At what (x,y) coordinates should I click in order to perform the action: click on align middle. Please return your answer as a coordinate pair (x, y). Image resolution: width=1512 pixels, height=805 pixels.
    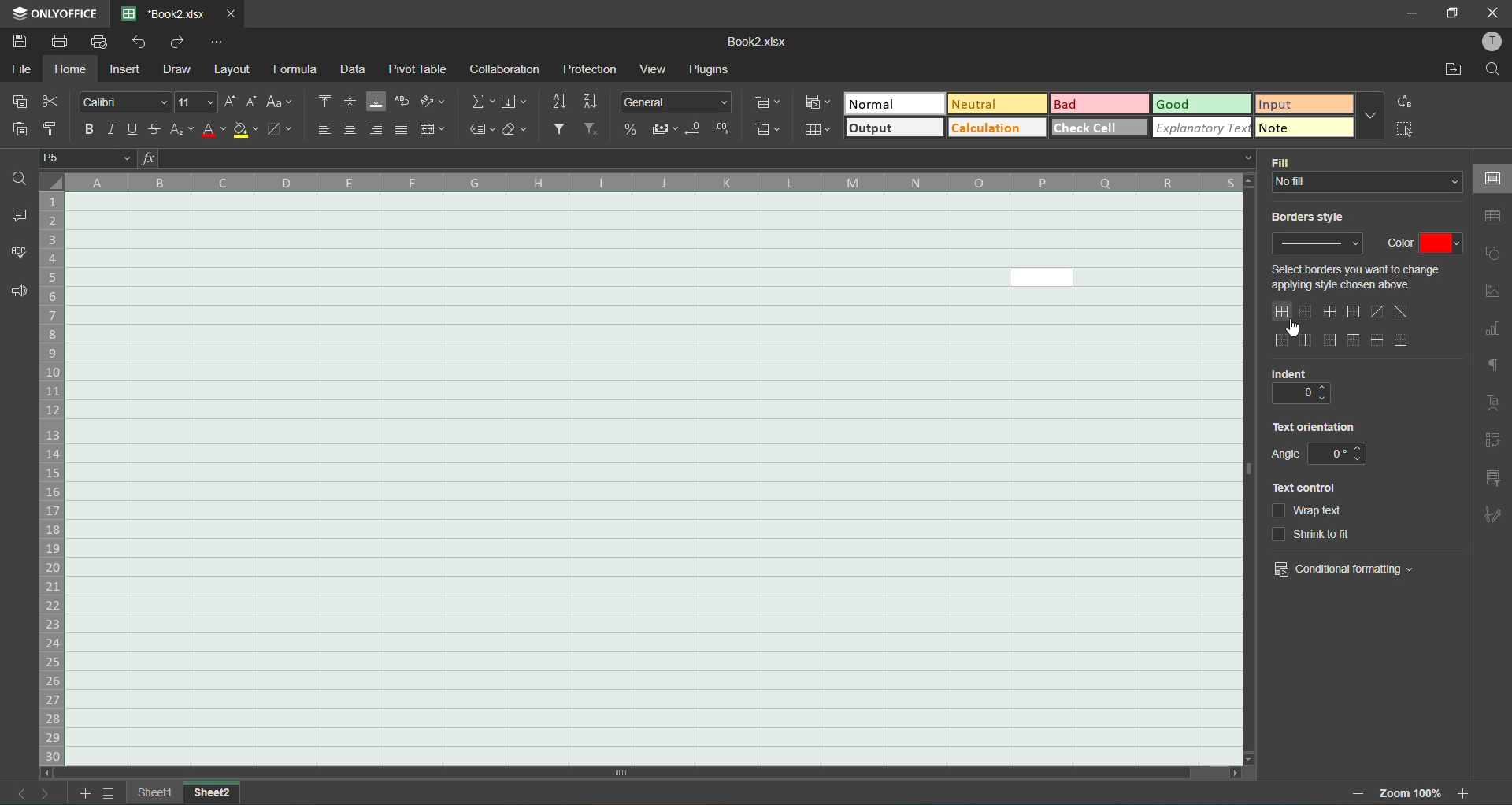
    Looking at the image, I should click on (353, 102).